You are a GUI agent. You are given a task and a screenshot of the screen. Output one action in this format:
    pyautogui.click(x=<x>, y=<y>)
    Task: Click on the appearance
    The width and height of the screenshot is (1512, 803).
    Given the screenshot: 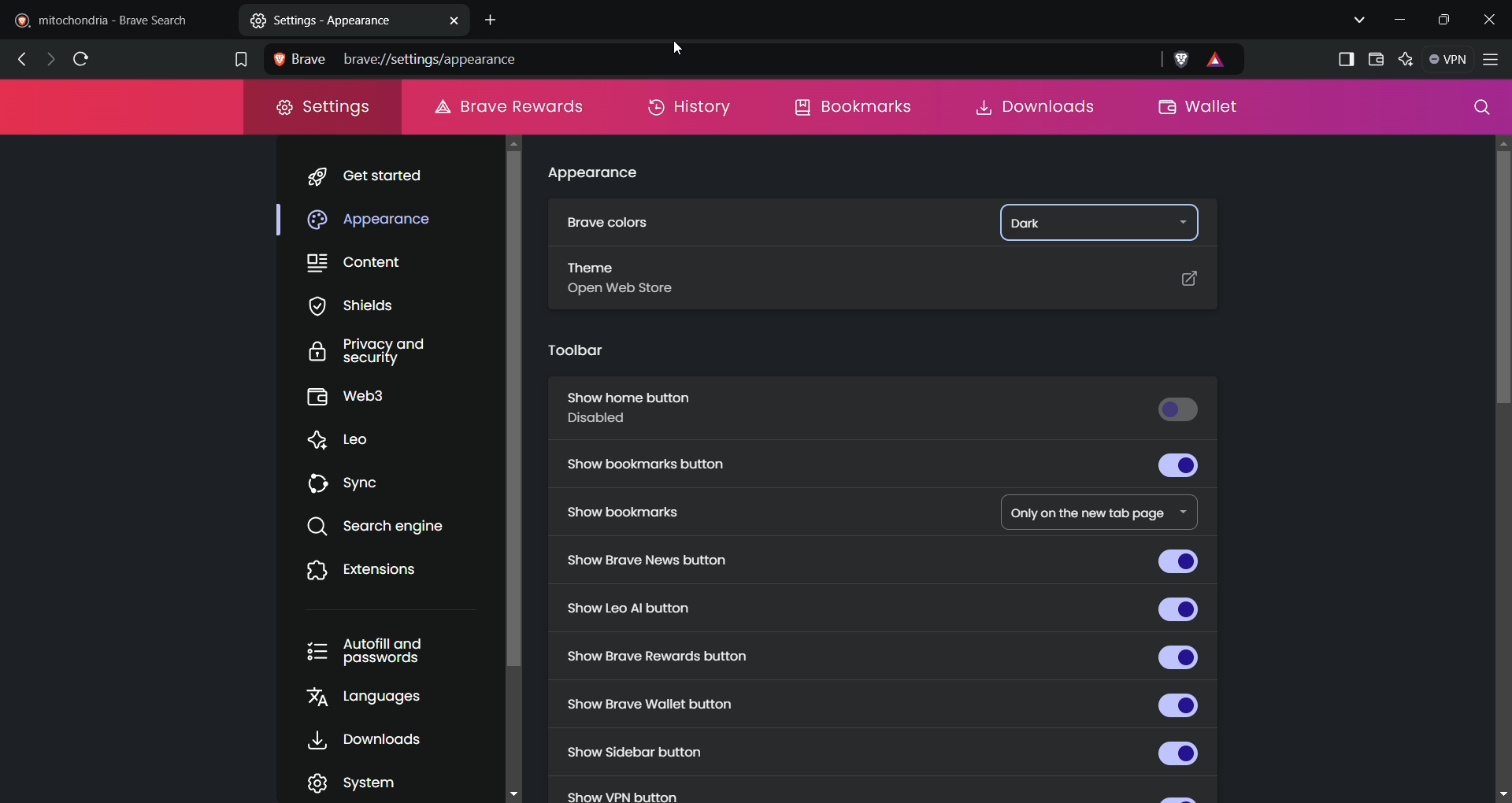 What is the action you would take?
    pyautogui.click(x=380, y=220)
    